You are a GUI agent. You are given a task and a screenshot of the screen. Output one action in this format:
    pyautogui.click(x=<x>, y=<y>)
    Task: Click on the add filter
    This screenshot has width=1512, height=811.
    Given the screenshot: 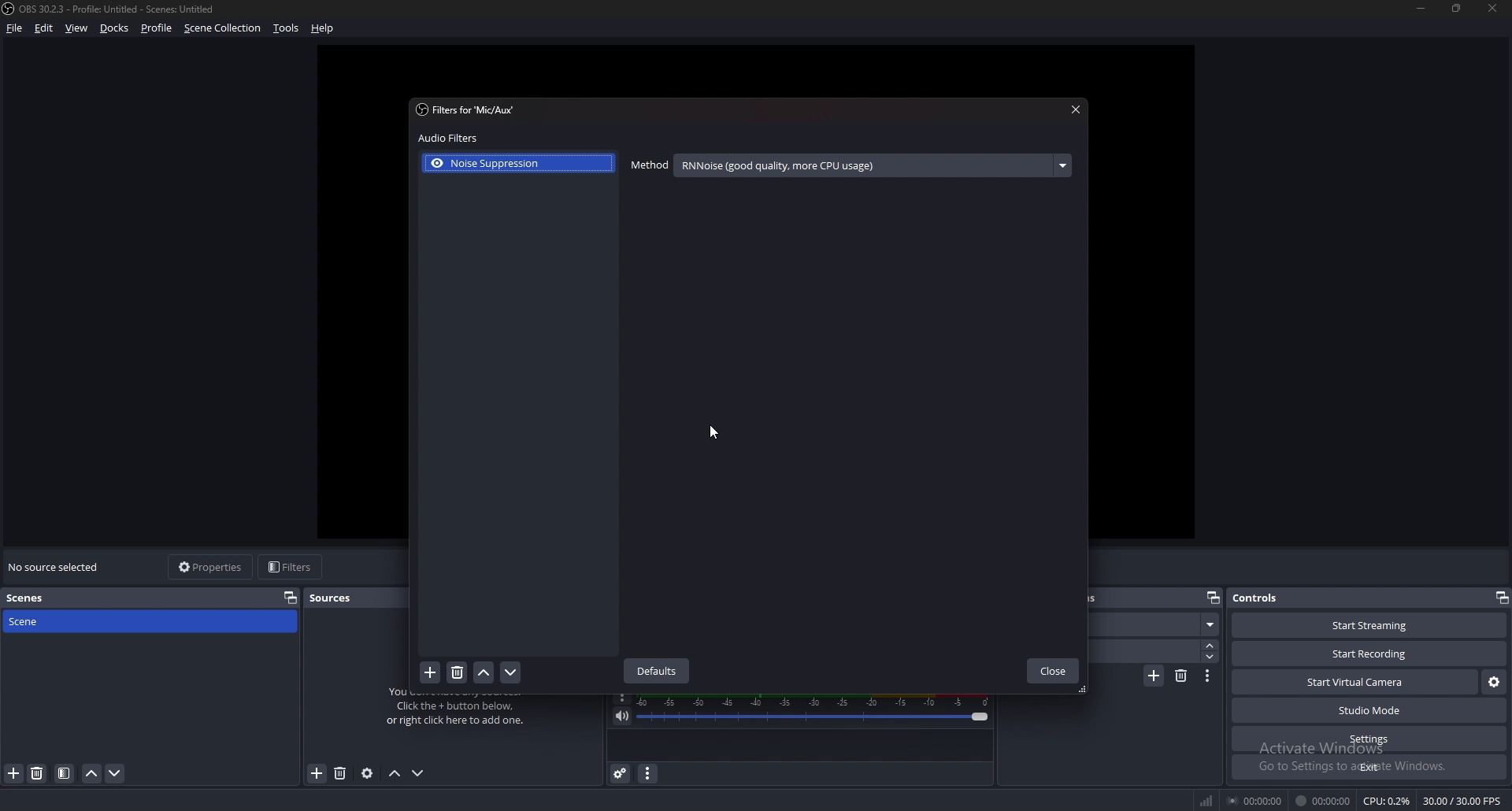 What is the action you would take?
    pyautogui.click(x=429, y=672)
    